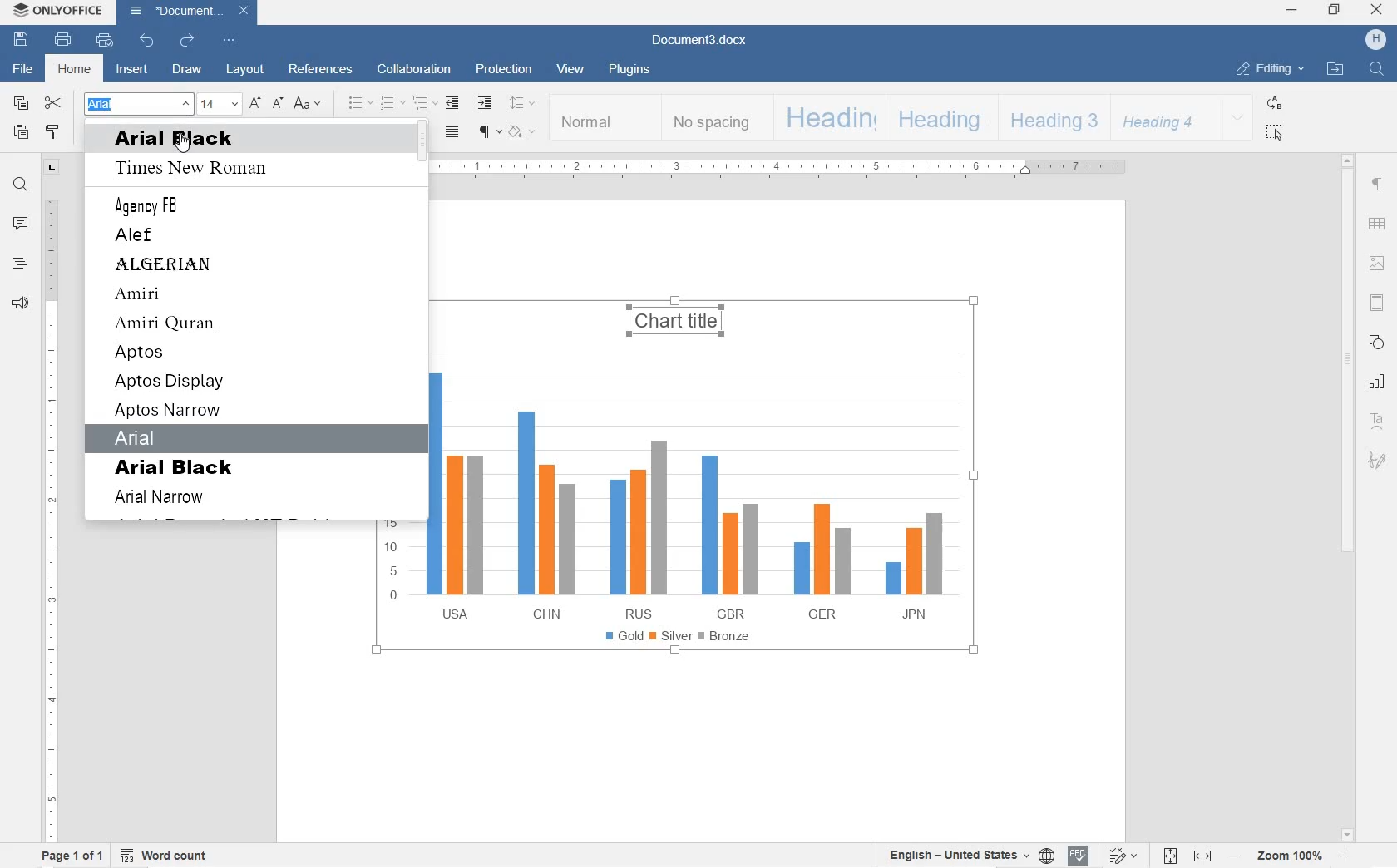 The image size is (1397, 868). Describe the element at coordinates (245, 69) in the screenshot. I see `LAYOUT` at that location.